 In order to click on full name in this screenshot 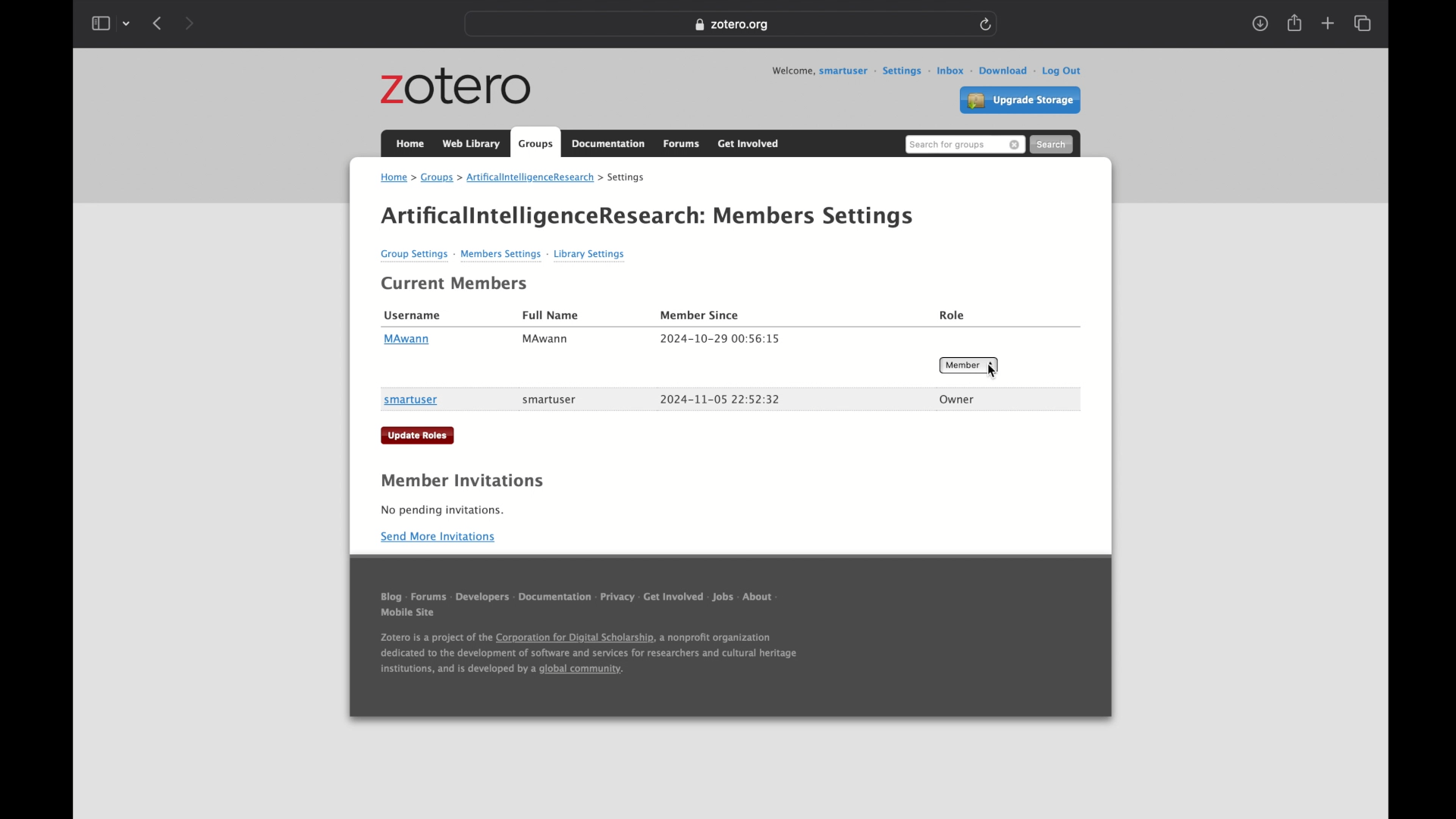, I will do `click(551, 315)`.